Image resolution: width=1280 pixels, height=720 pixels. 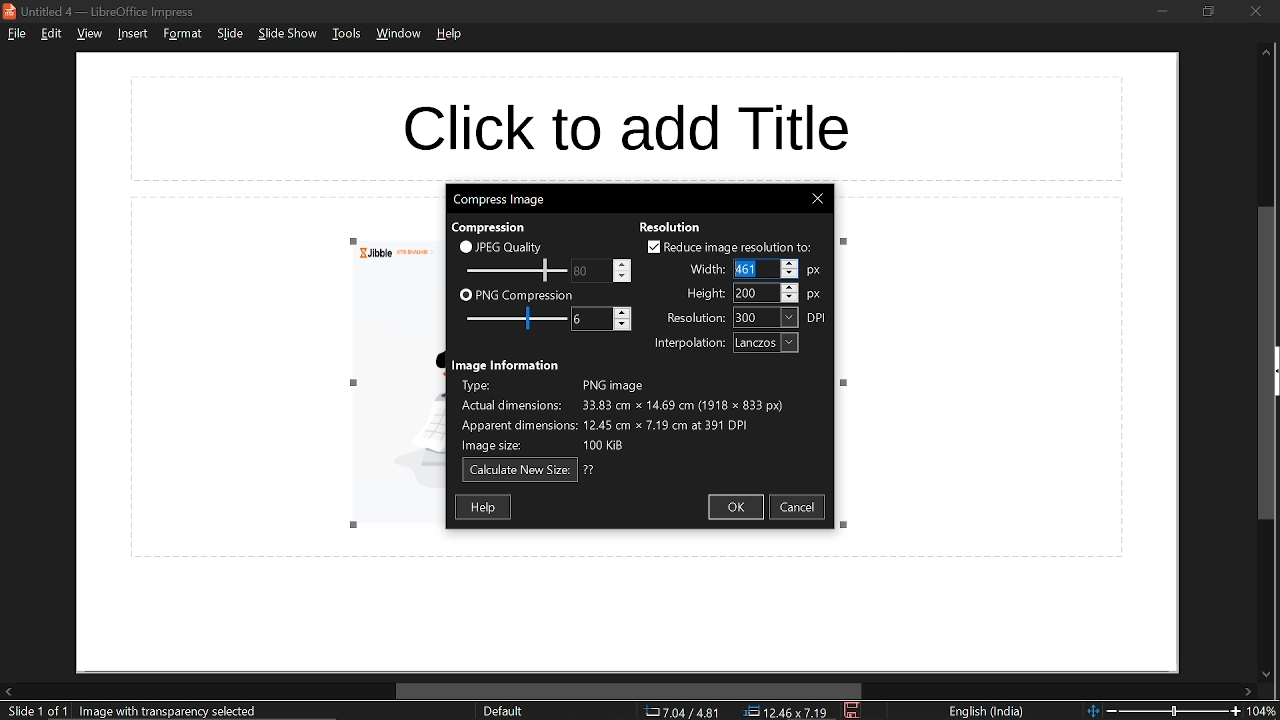 I want to click on co-ordinate, so click(x=682, y=712).